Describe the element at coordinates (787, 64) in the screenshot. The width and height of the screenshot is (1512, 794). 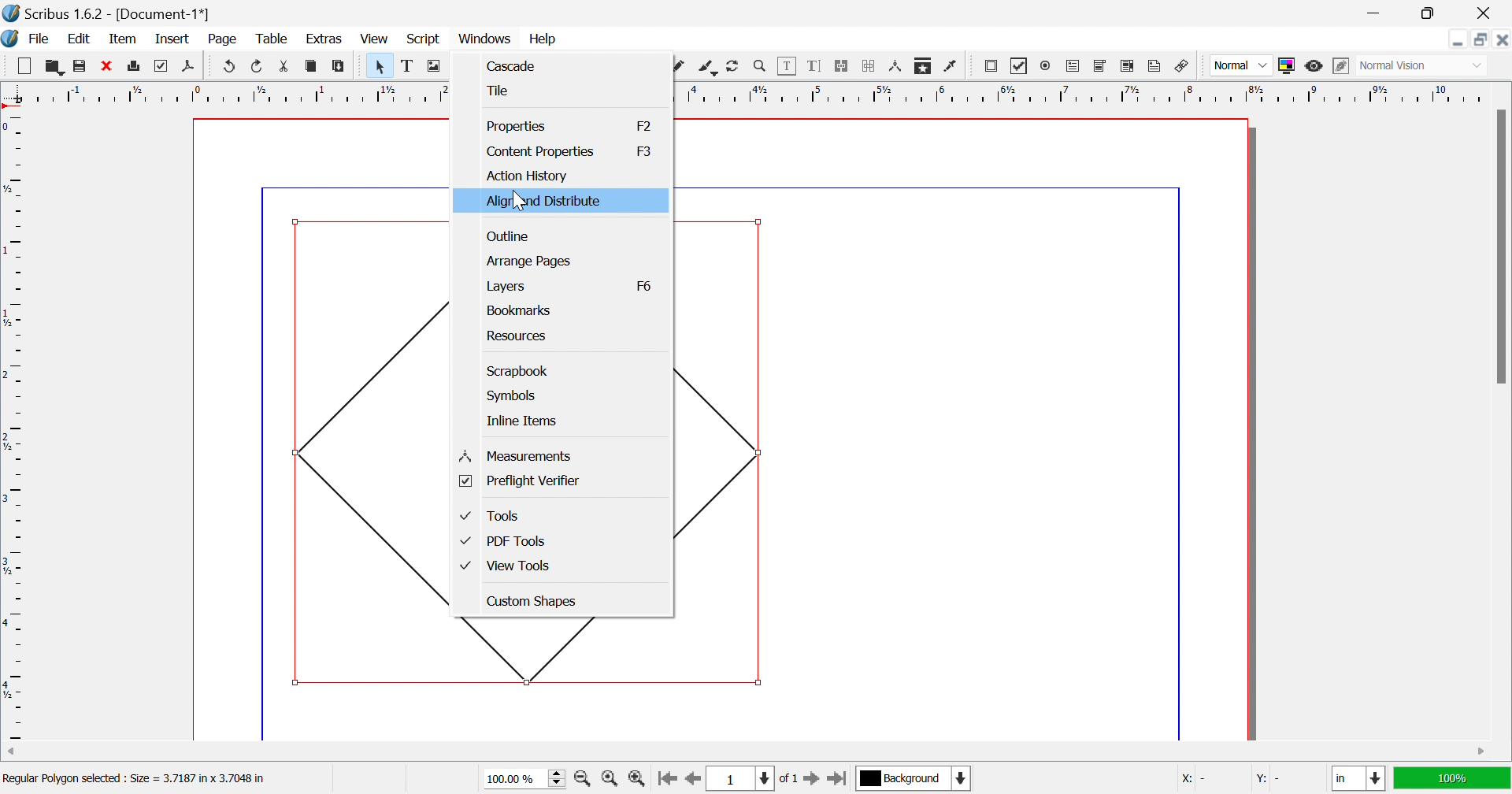
I see `Edit contents of frame` at that location.